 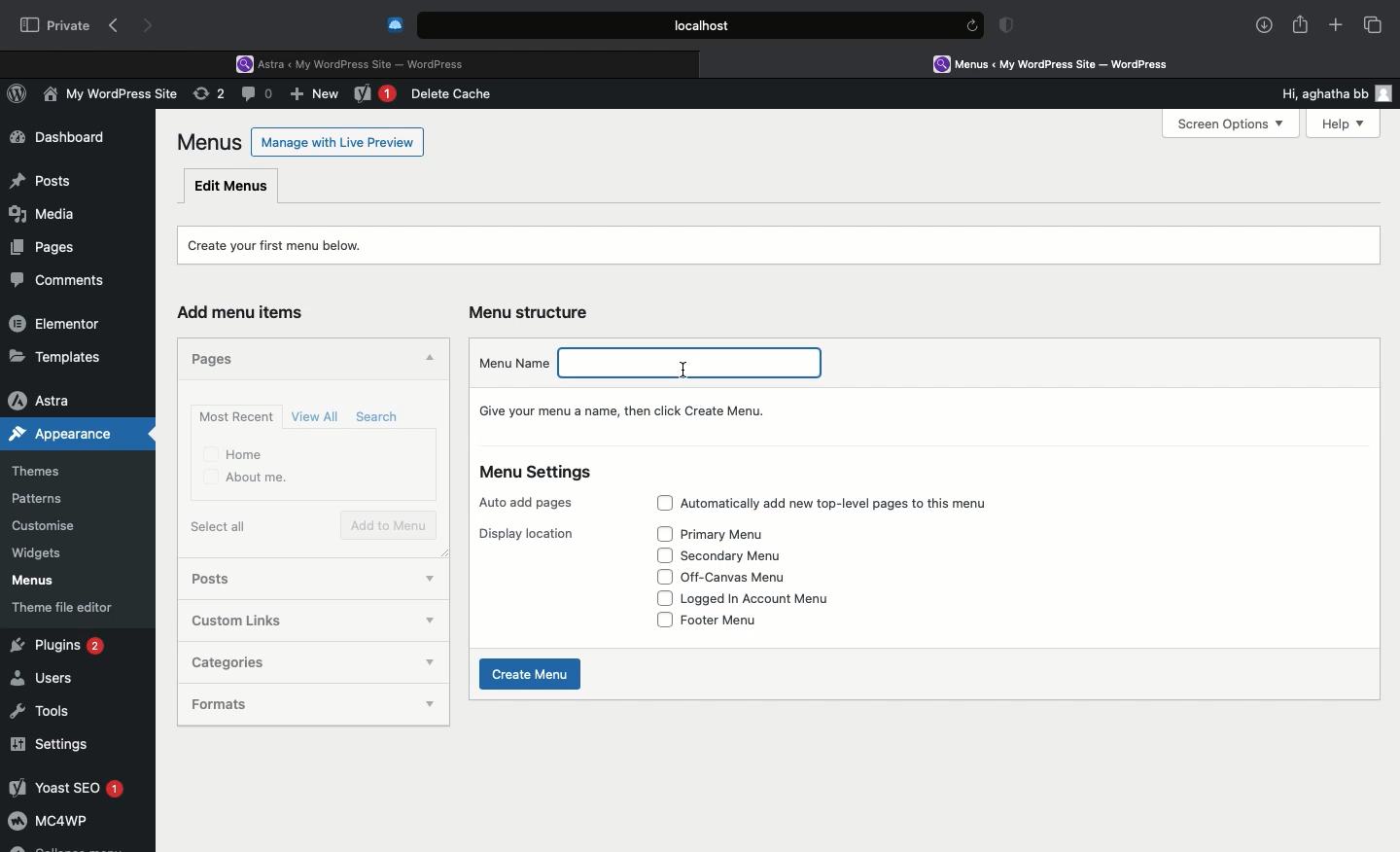 What do you see at coordinates (1314, 90) in the screenshot?
I see `Hi, aghatha bb` at bounding box center [1314, 90].